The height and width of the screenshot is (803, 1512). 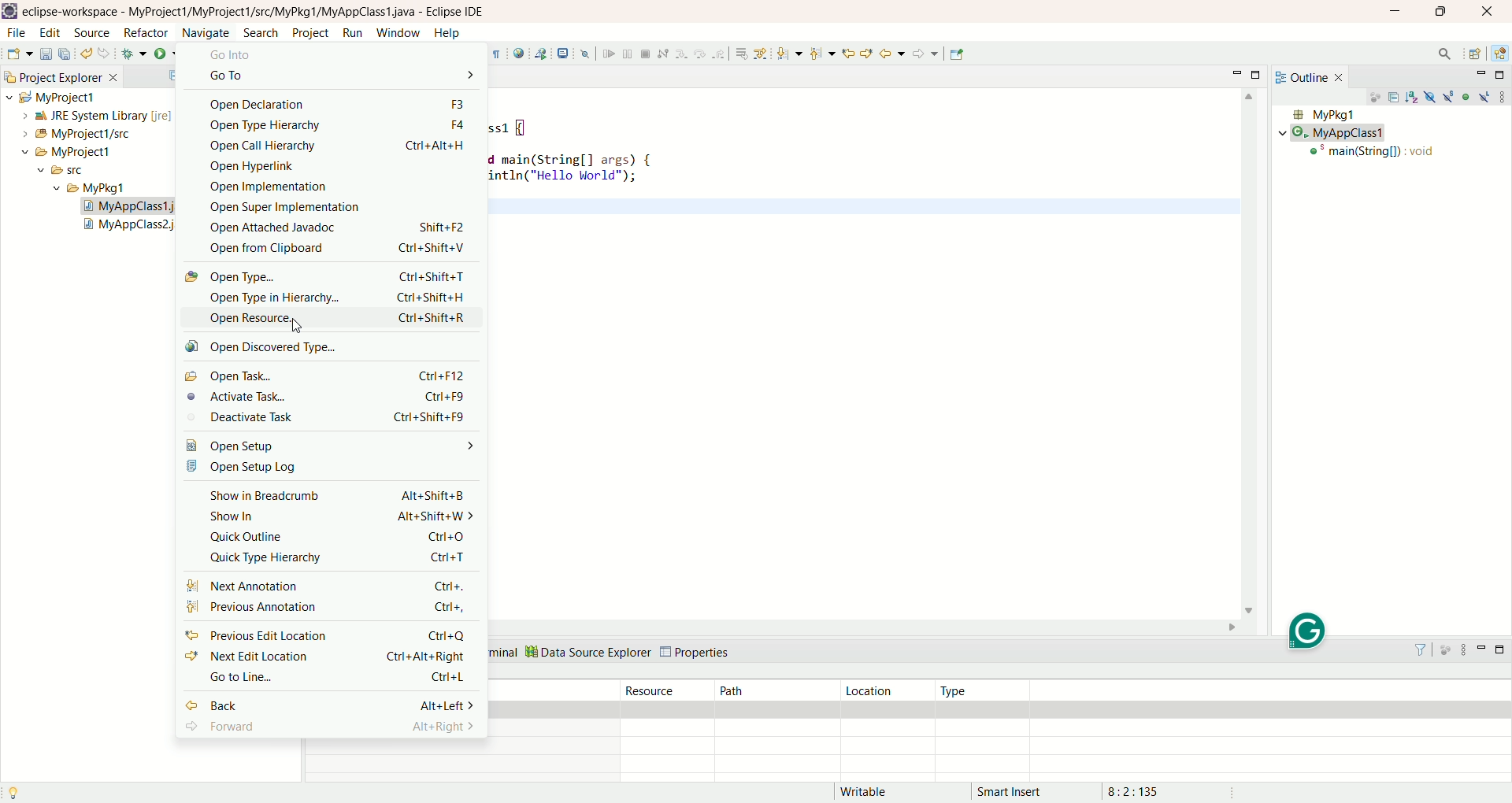 I want to click on go to line, so click(x=335, y=679).